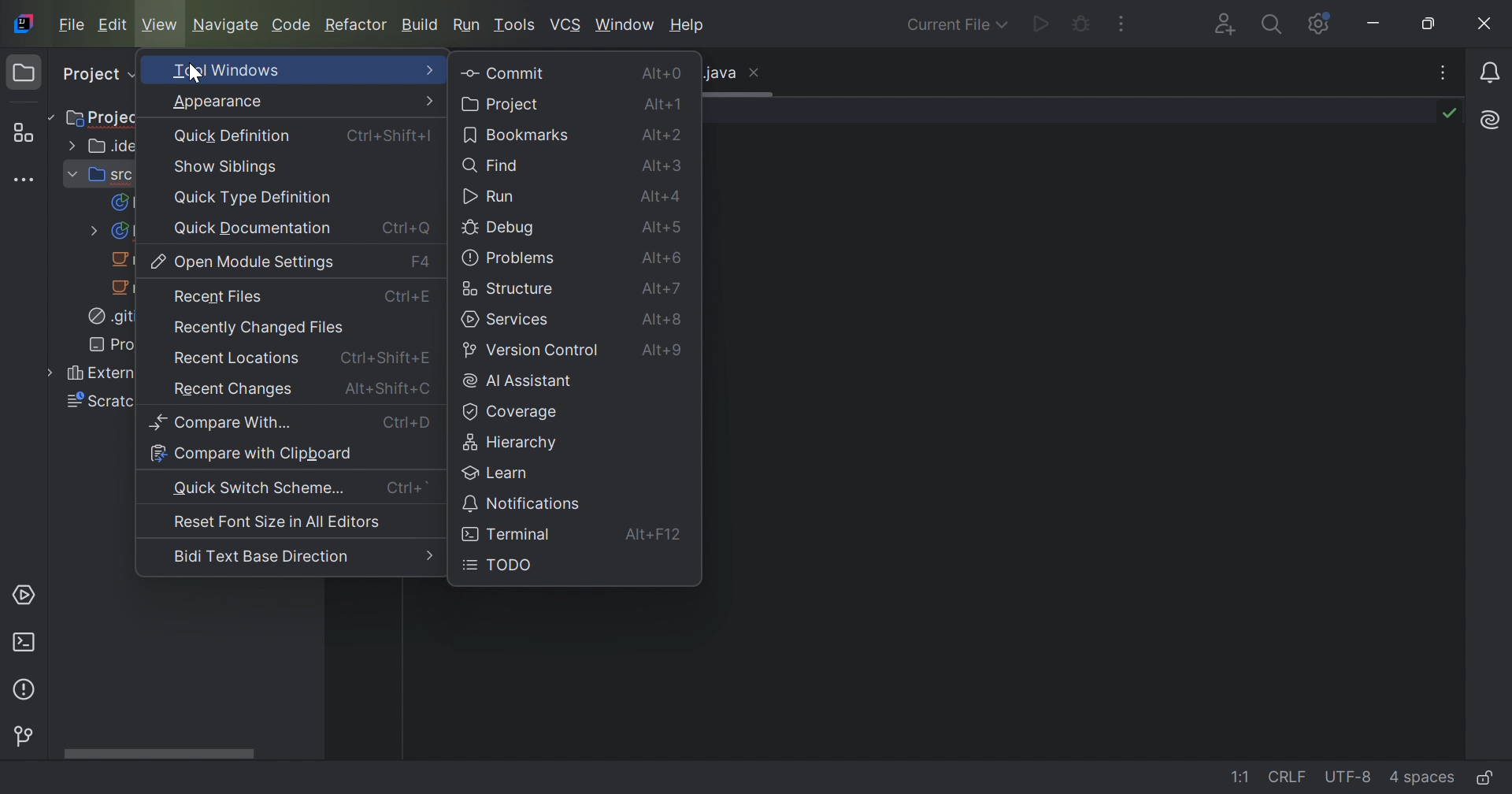 The width and height of the screenshot is (1512, 794). I want to click on More, so click(428, 69).